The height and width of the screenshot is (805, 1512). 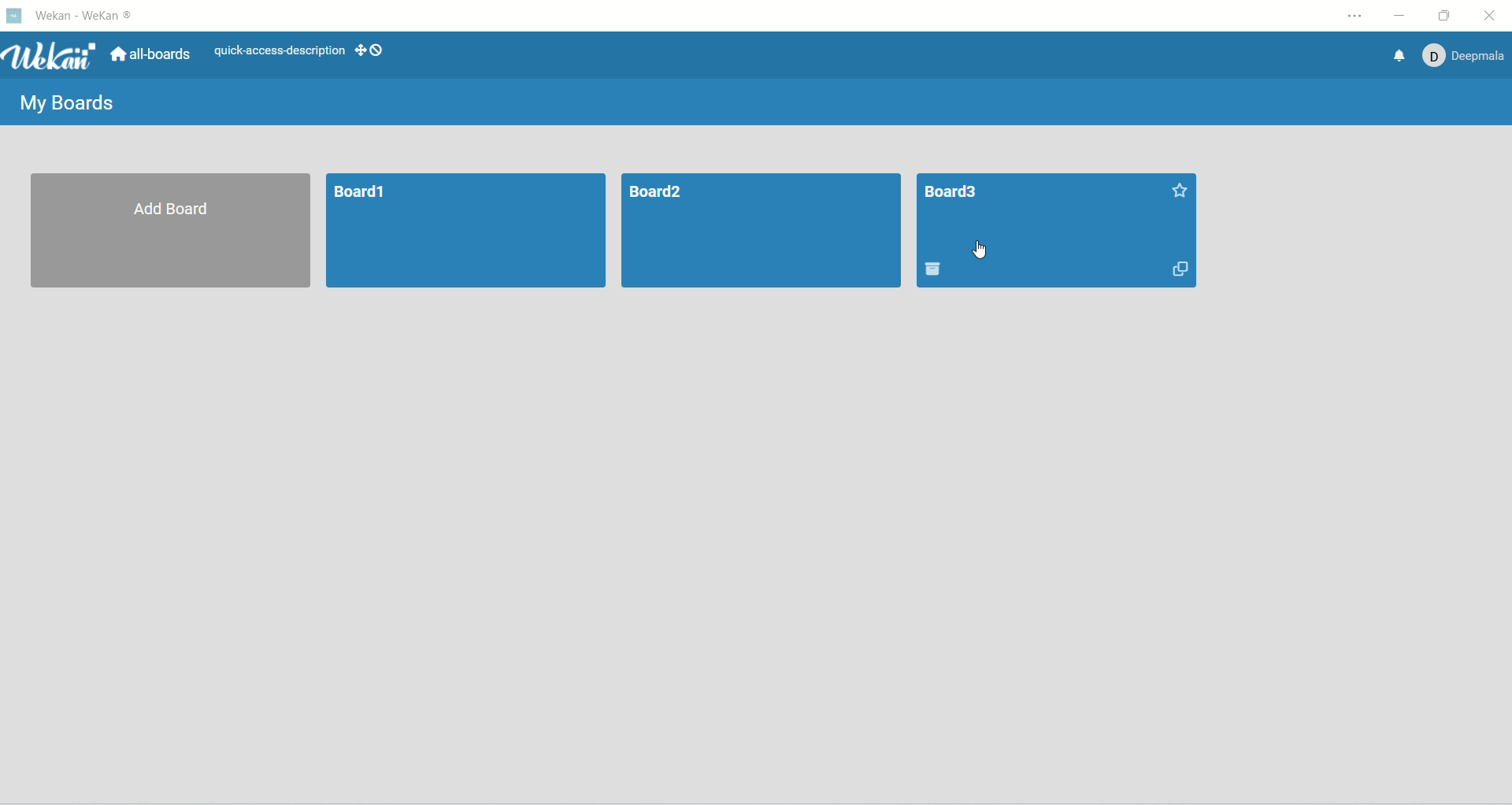 I want to click on add board, so click(x=167, y=234).